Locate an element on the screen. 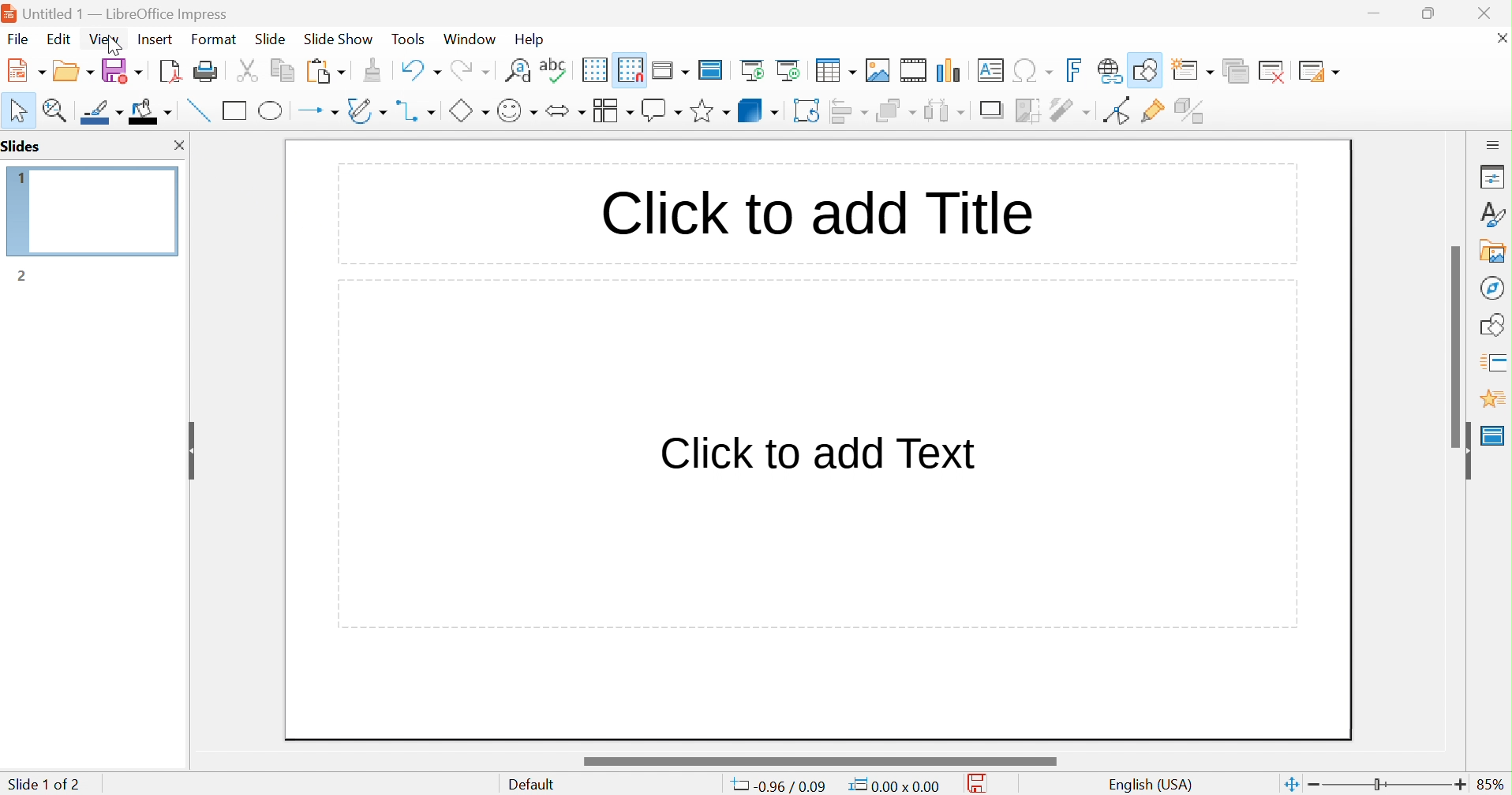 This screenshot has width=1512, height=795. slider is located at coordinates (1458, 345).